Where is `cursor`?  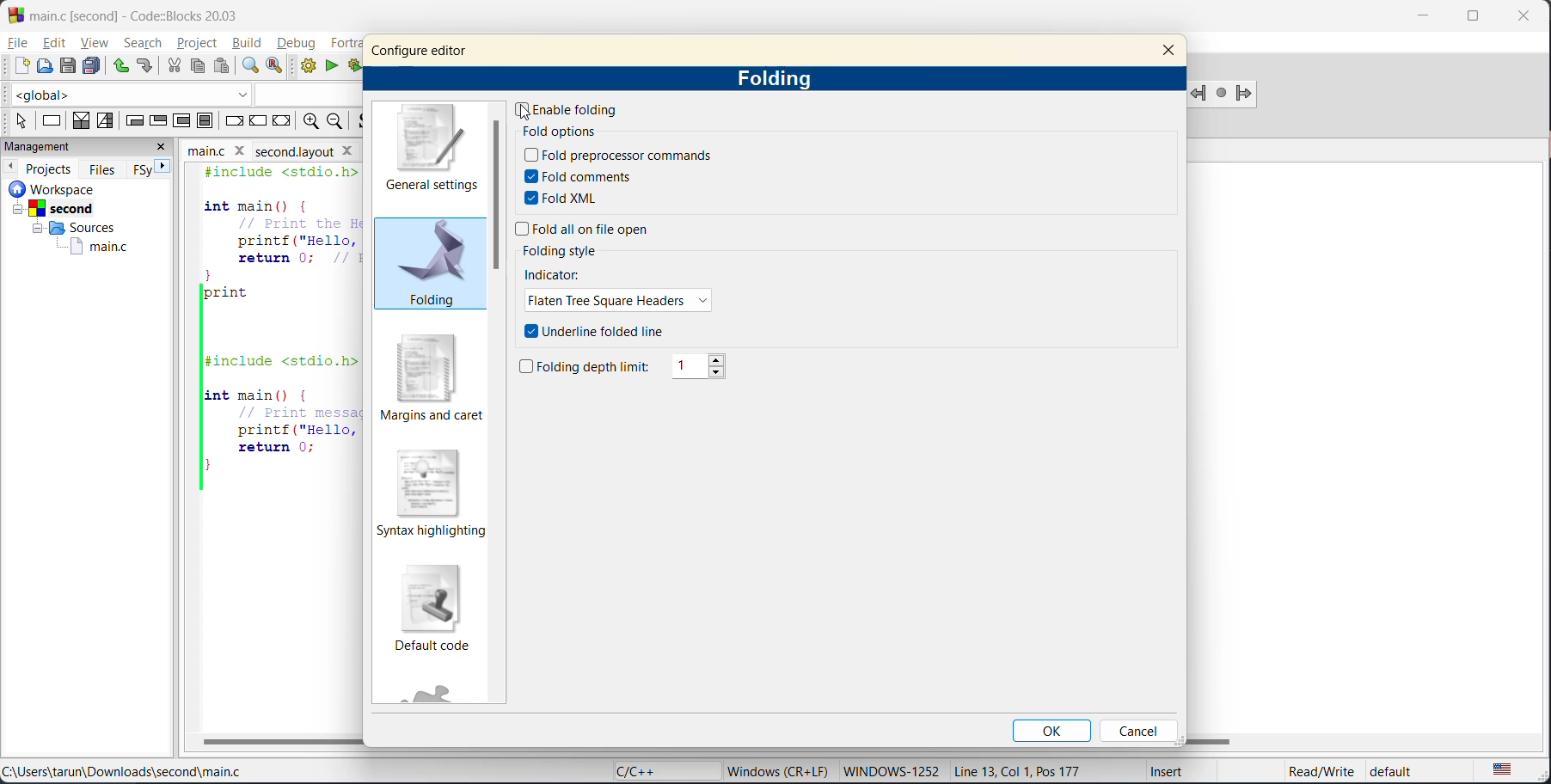
cursor is located at coordinates (519, 113).